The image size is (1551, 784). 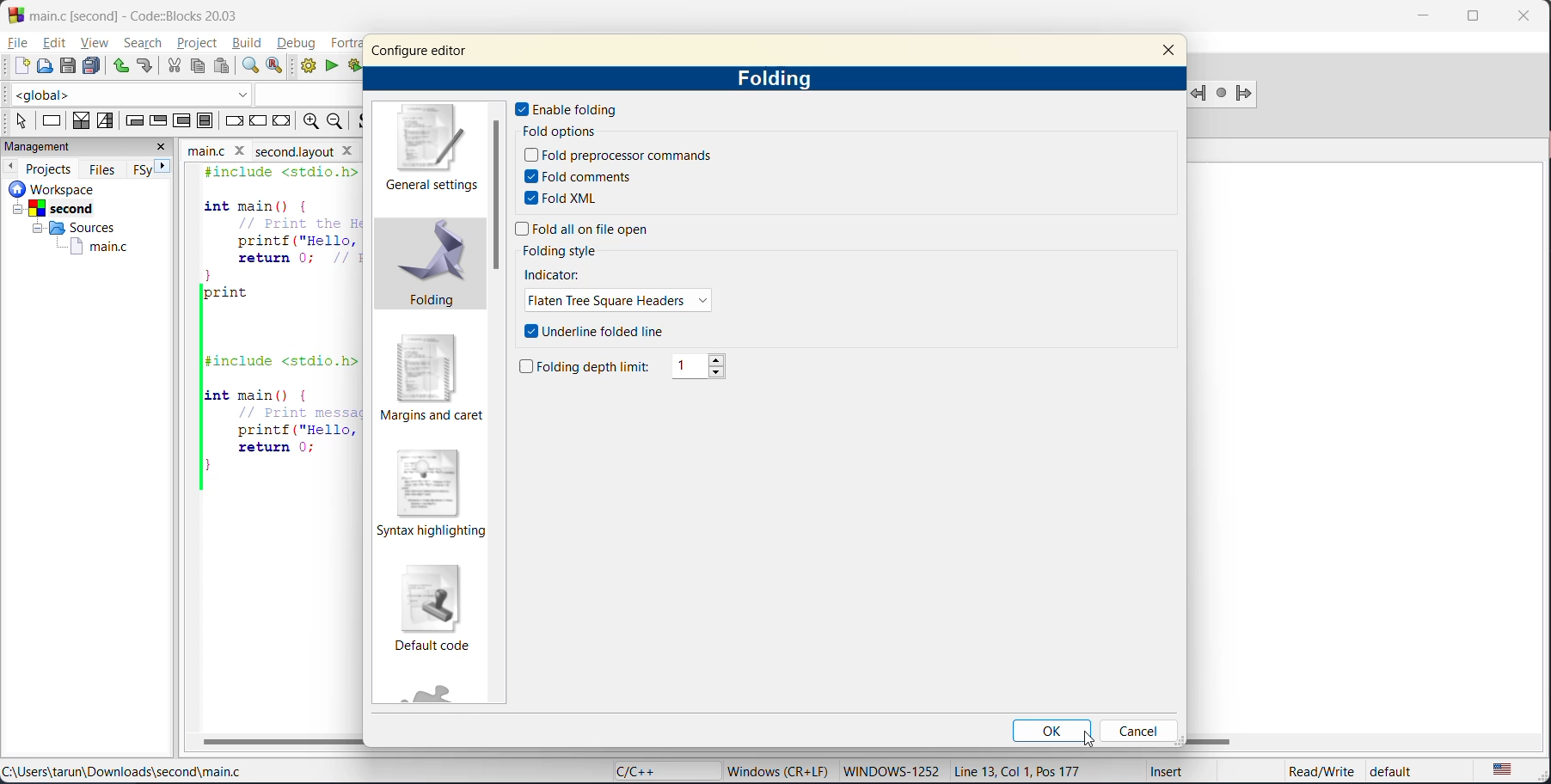 I want to click on minimize, so click(x=1424, y=18).